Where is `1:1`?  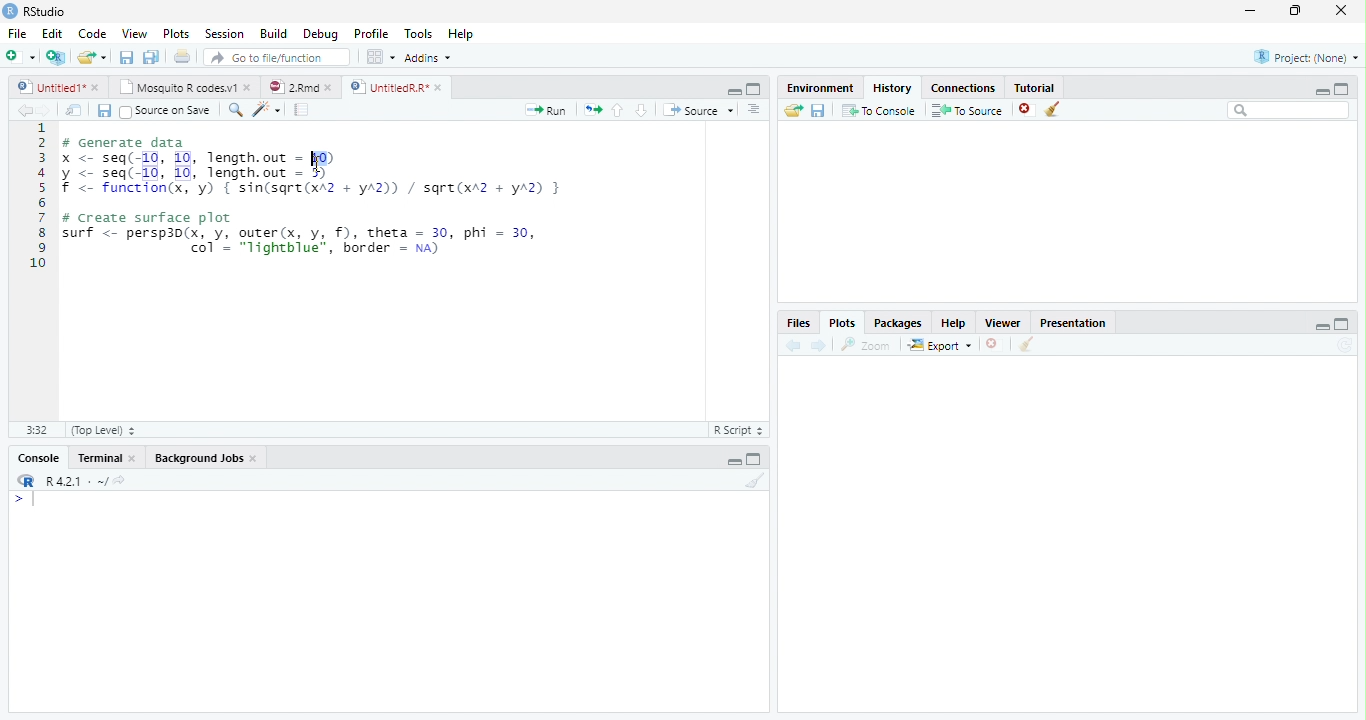
1:1 is located at coordinates (37, 430).